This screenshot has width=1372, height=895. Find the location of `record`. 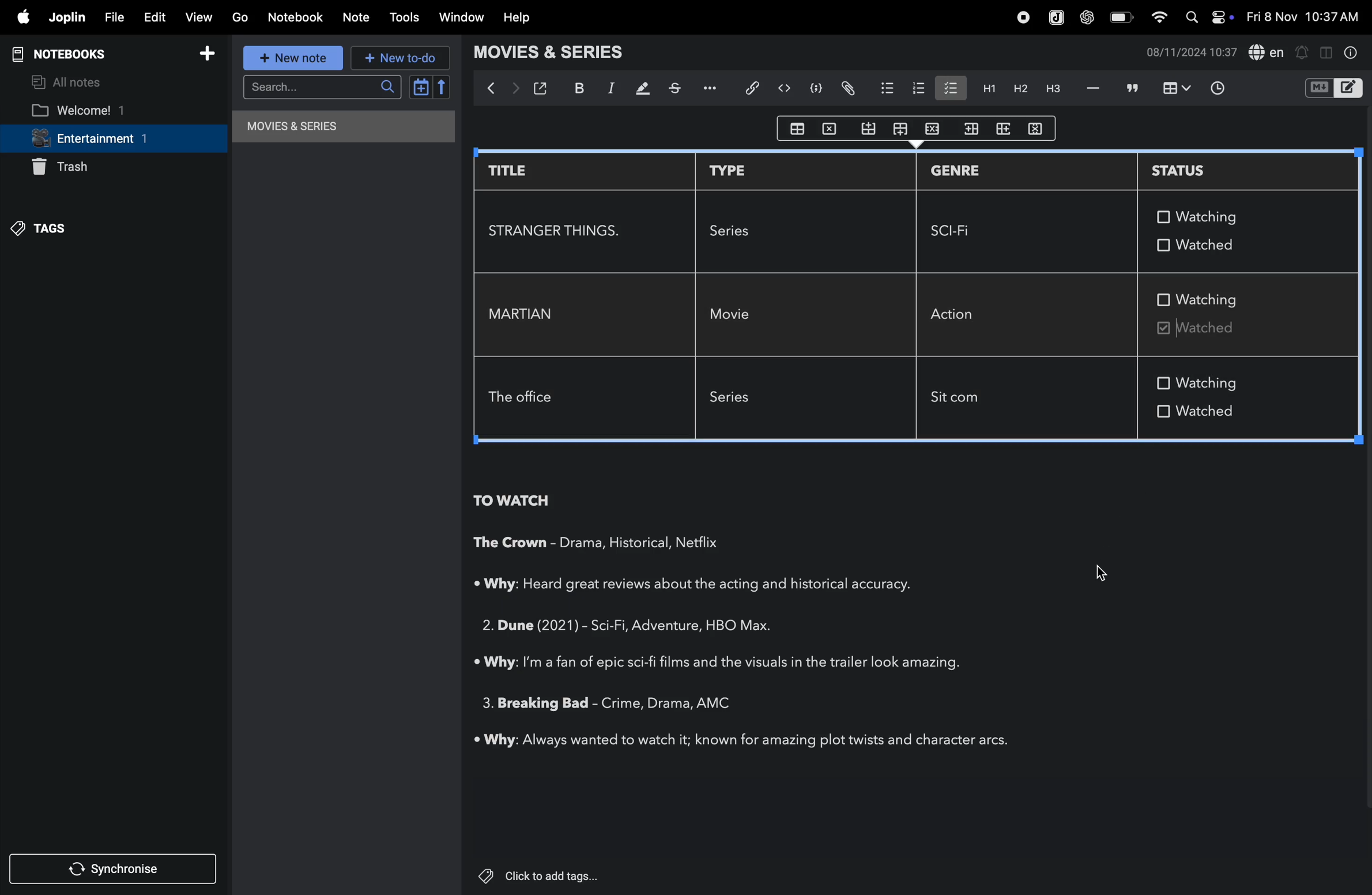

record is located at coordinates (1023, 18).